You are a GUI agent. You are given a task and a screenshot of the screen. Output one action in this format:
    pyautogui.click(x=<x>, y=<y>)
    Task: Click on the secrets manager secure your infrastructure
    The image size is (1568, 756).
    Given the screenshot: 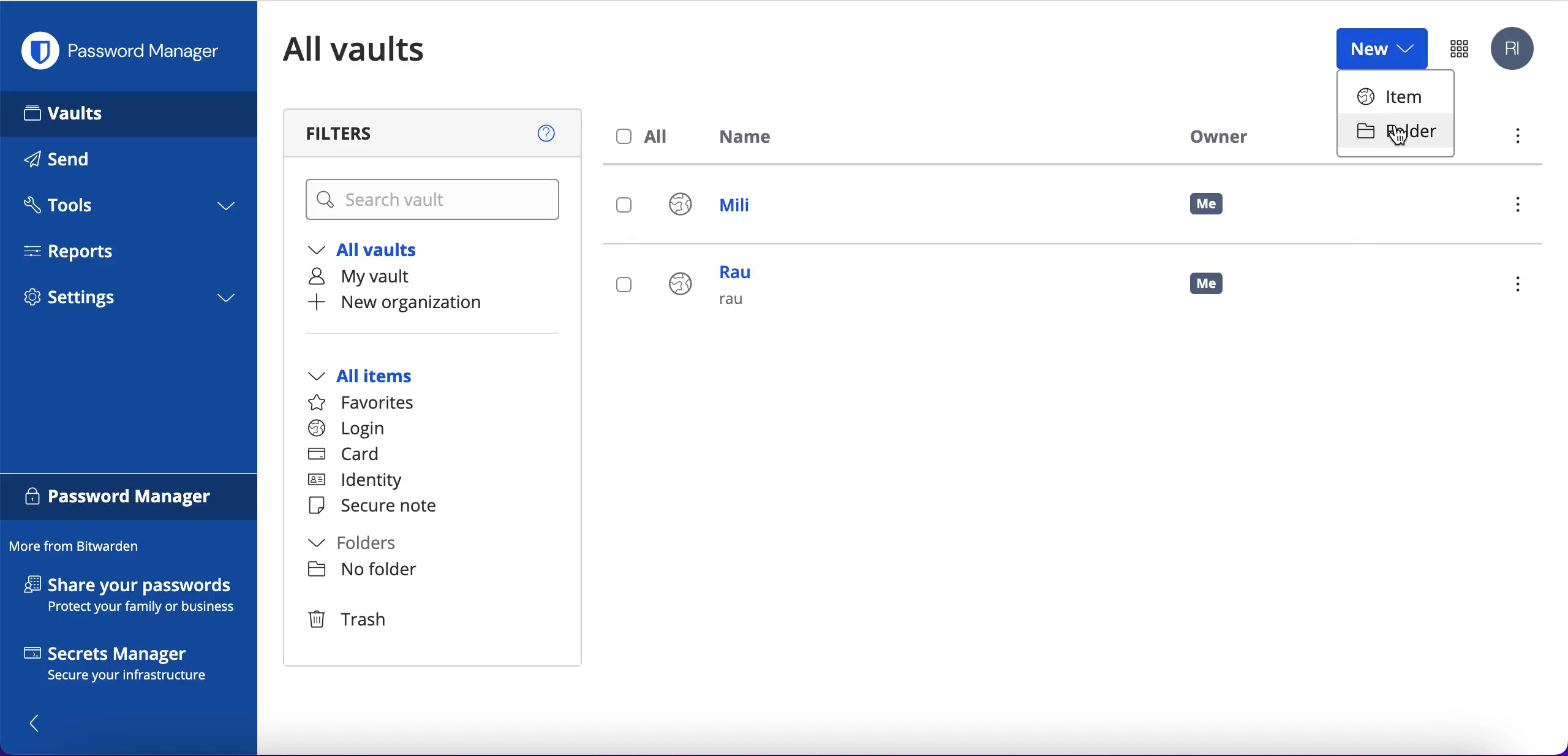 What is the action you would take?
    pyautogui.click(x=129, y=667)
    